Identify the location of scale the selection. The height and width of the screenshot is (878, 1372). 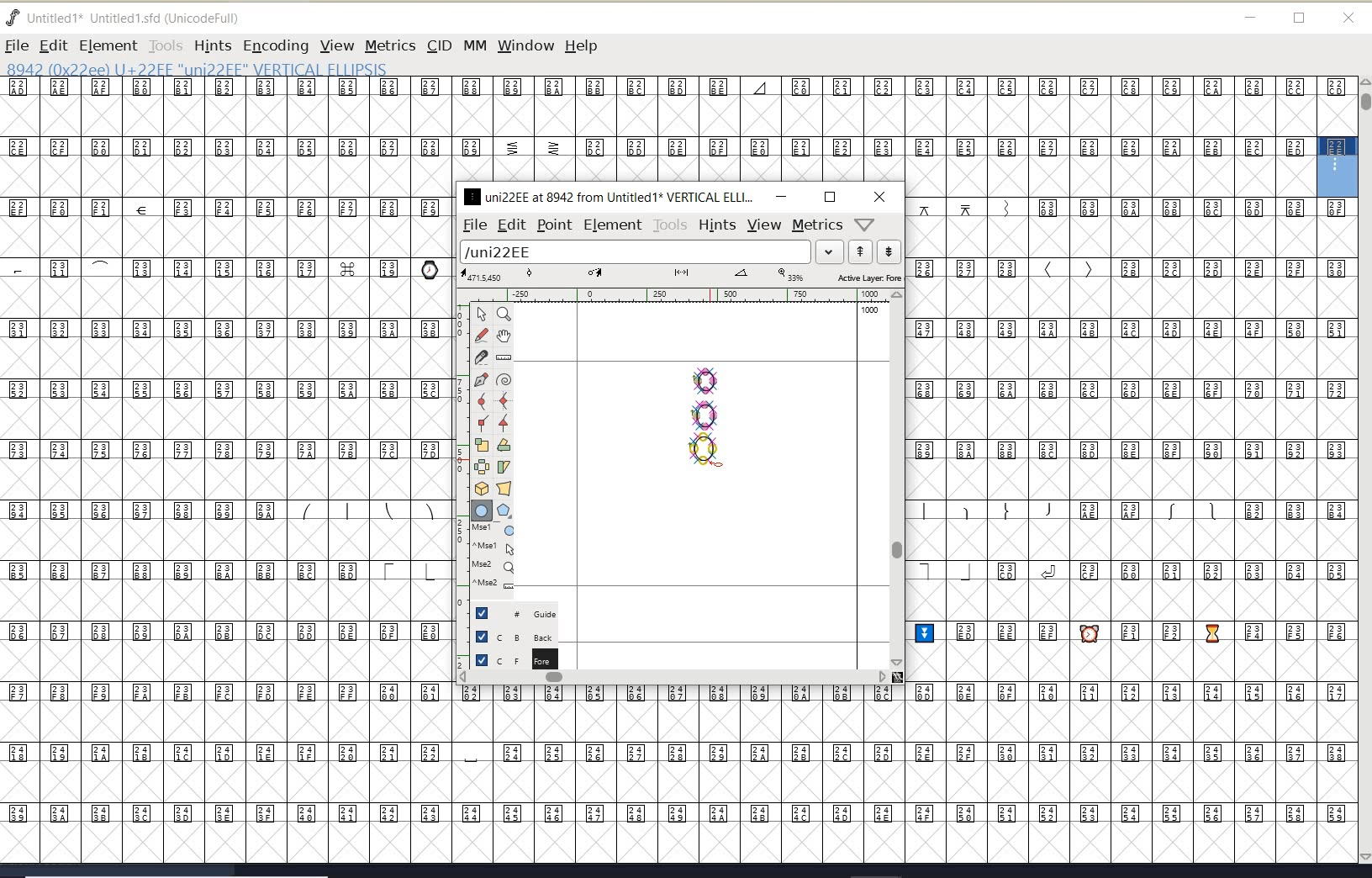
(482, 445).